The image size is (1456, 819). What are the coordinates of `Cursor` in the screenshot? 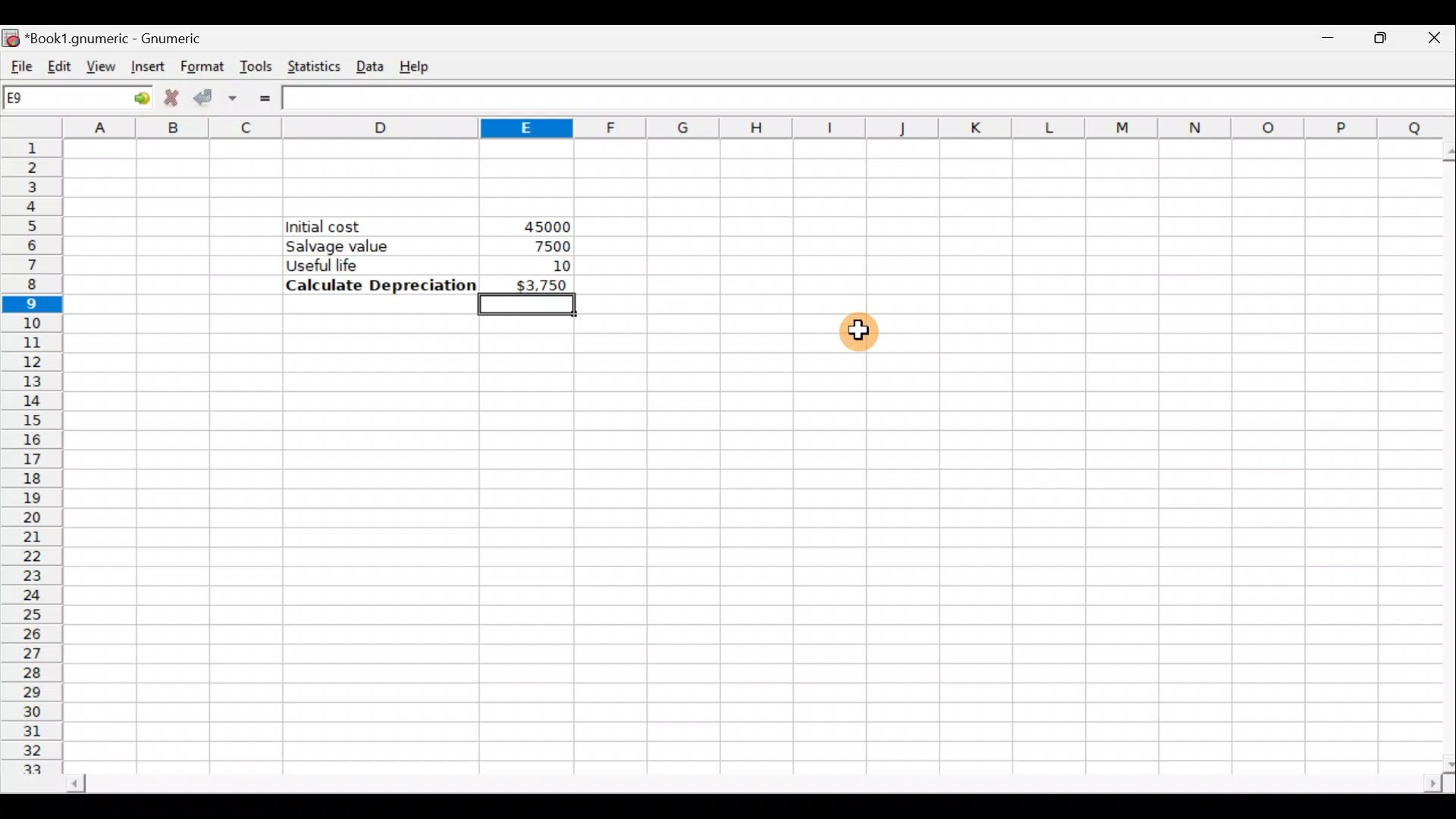 It's located at (855, 338).